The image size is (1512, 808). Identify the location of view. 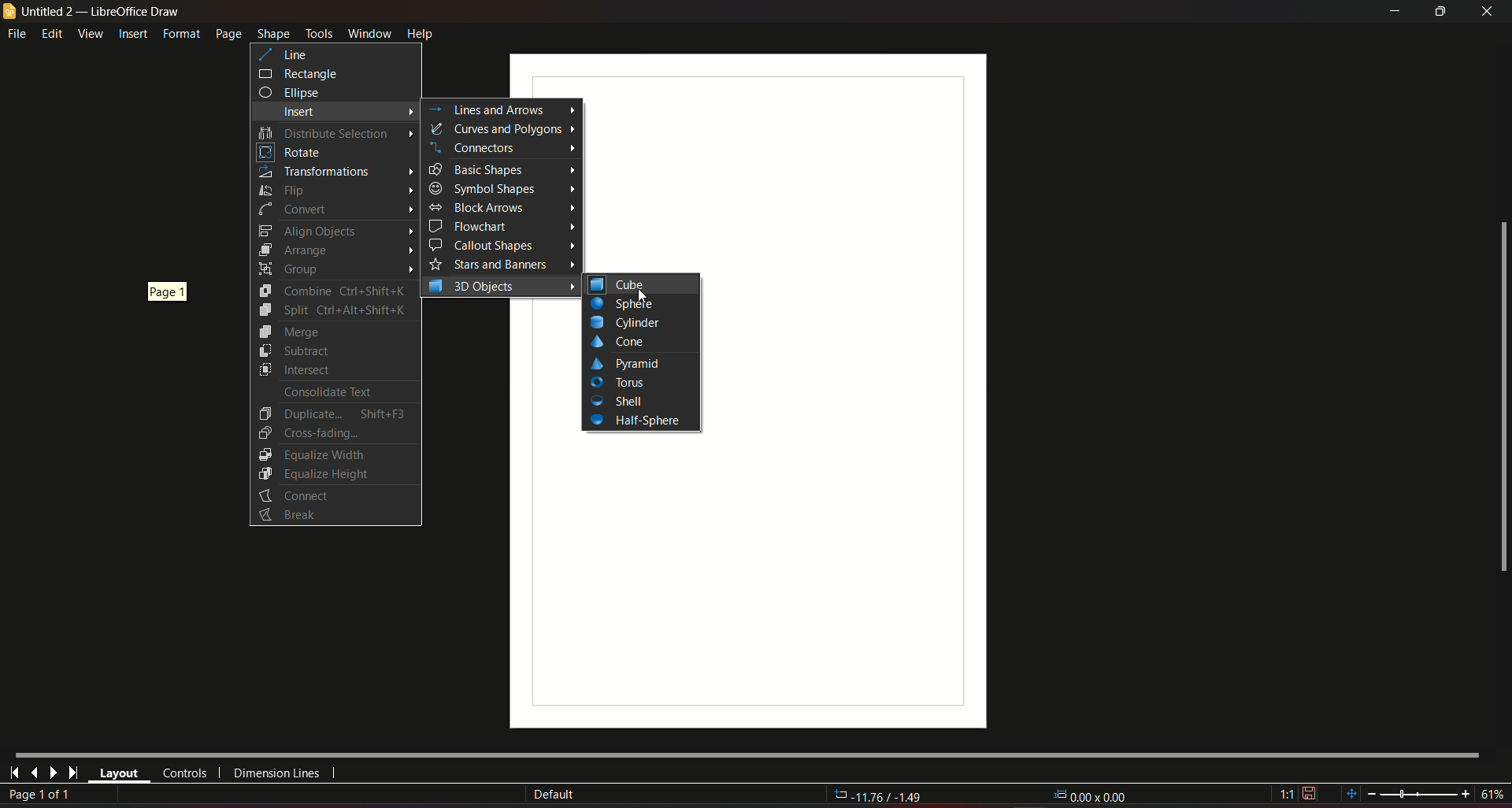
(90, 33).